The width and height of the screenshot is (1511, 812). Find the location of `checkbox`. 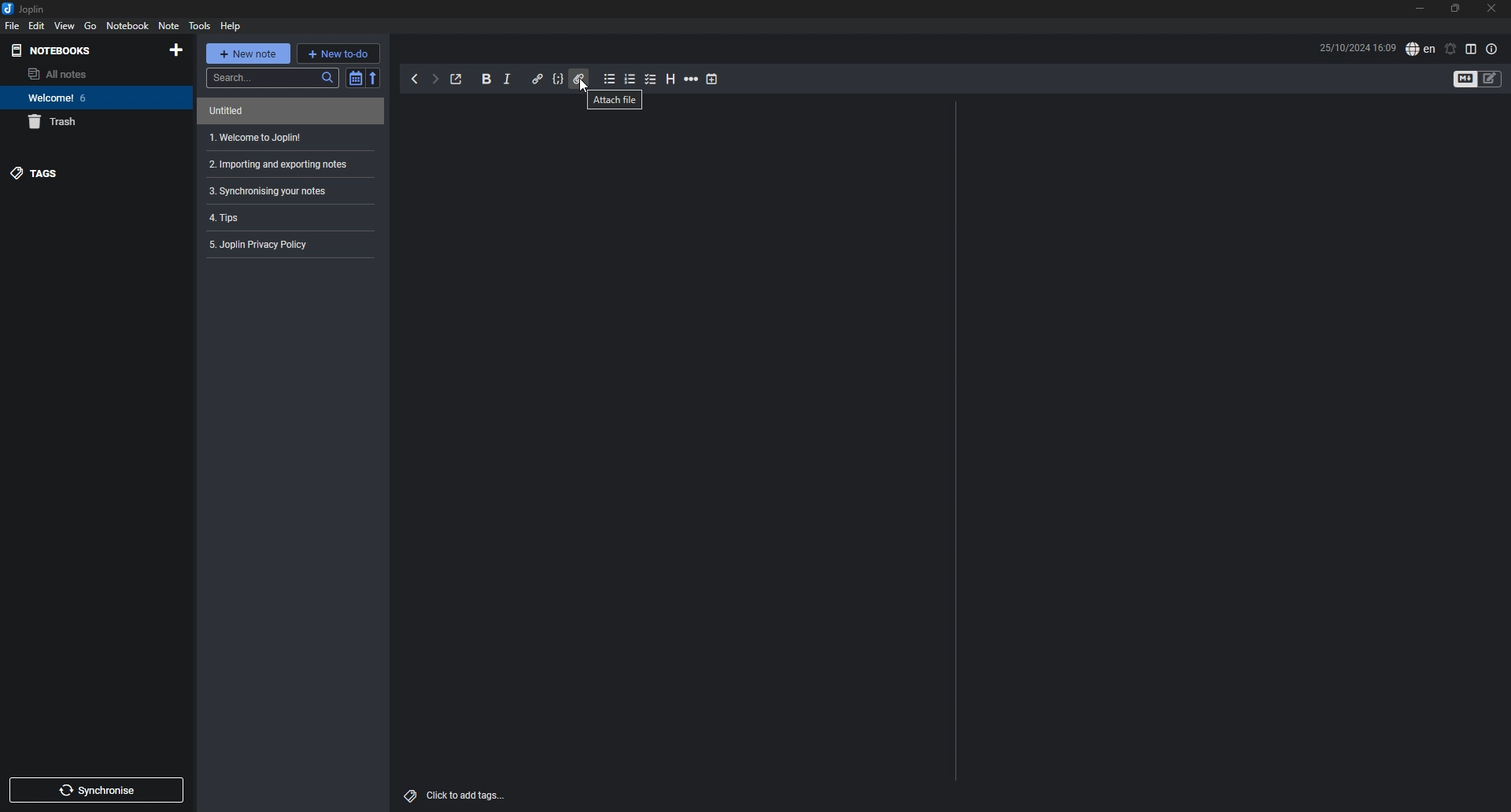

checkbox is located at coordinates (651, 79).